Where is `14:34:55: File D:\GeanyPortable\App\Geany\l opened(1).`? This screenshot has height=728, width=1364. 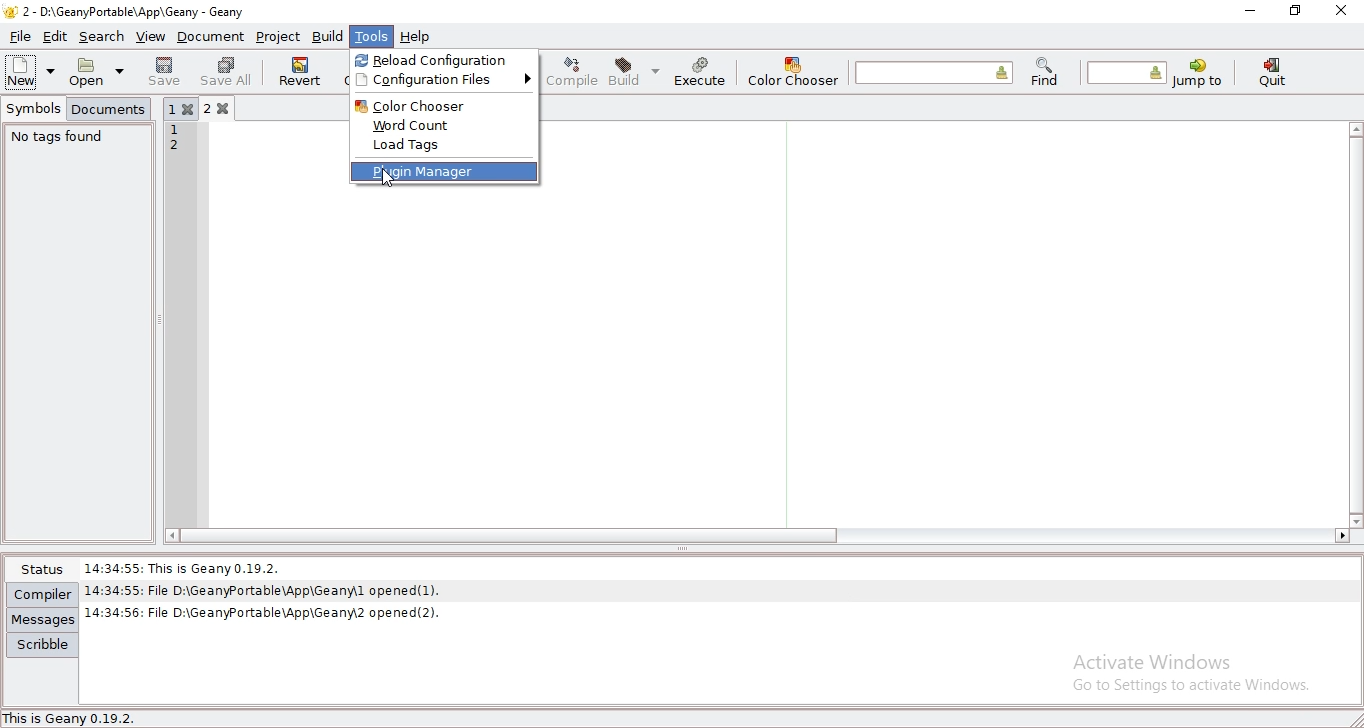
14:34:55: File D:\GeanyPortable\App\Geany\l opened(1). is located at coordinates (264, 588).